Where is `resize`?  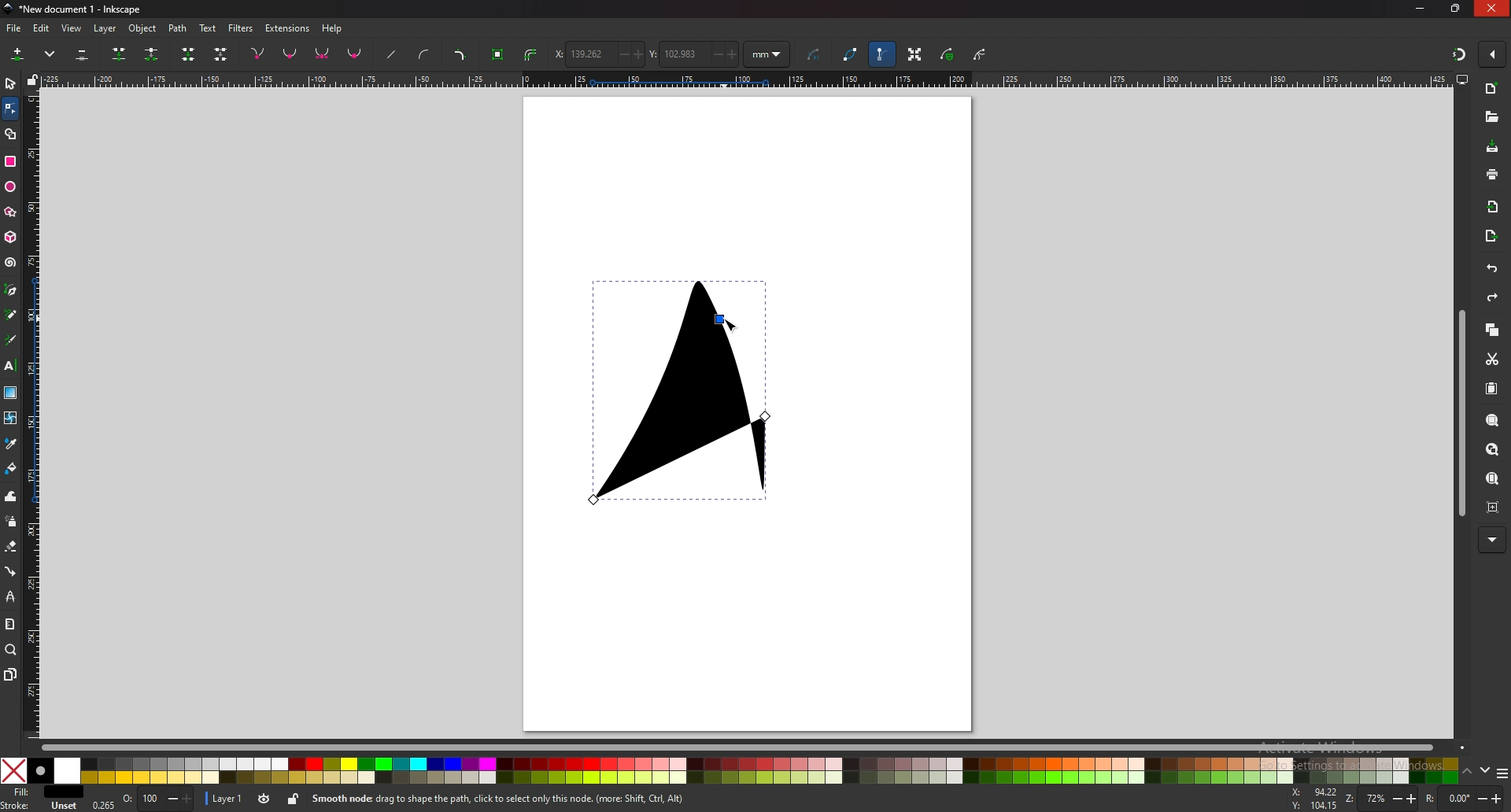
resize is located at coordinates (1456, 8).